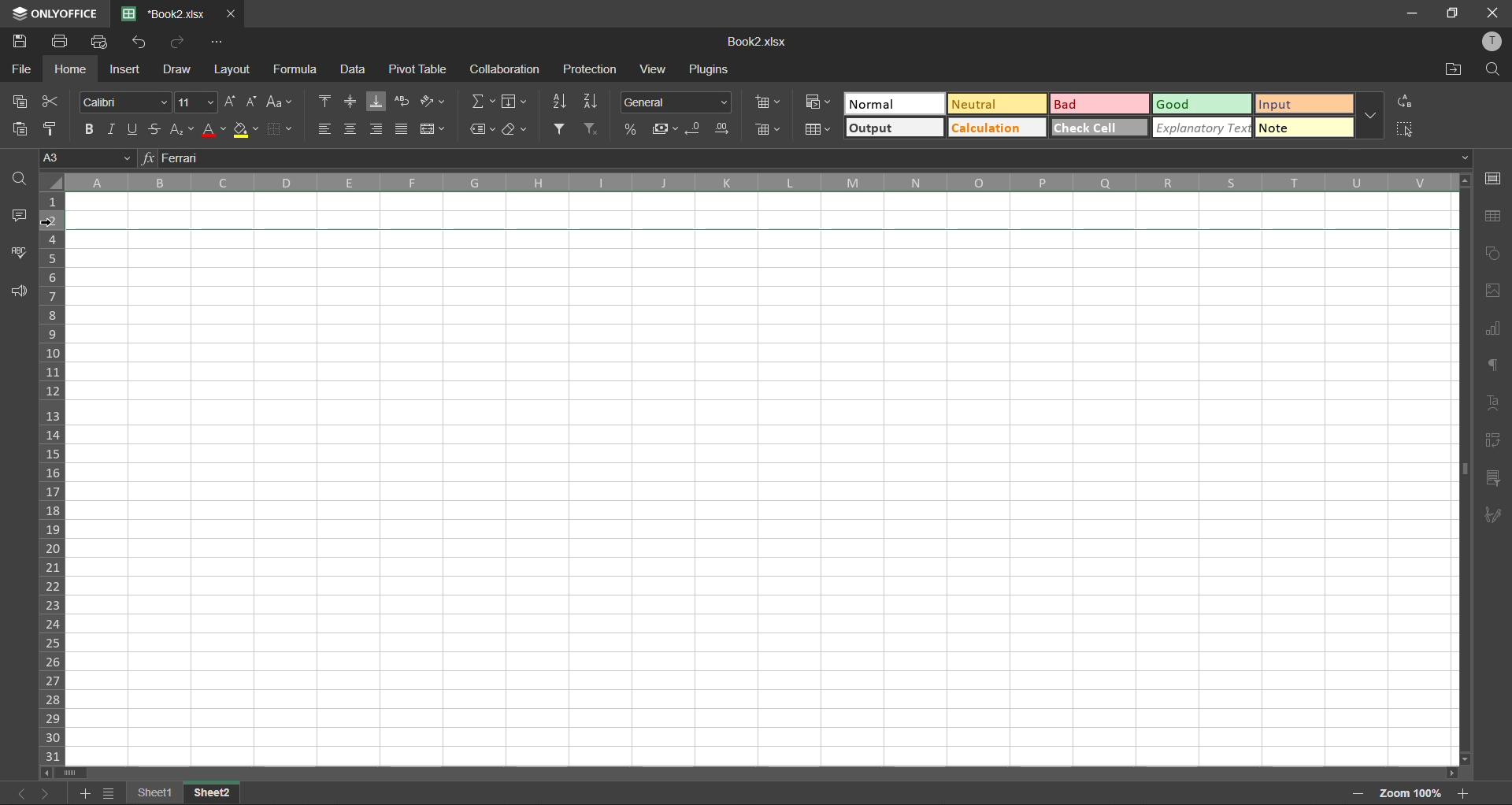 Image resolution: width=1512 pixels, height=805 pixels. What do you see at coordinates (196, 103) in the screenshot?
I see `font size` at bounding box center [196, 103].